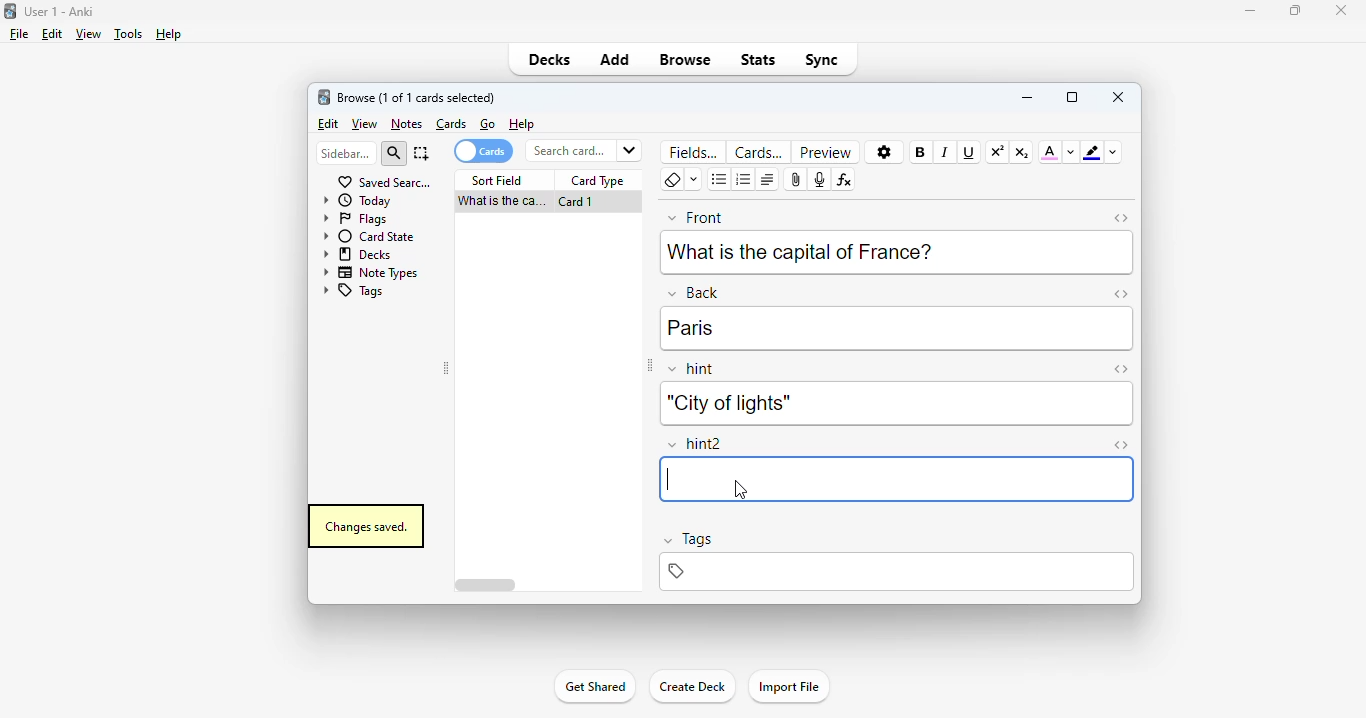 The image size is (1366, 718). Describe the element at coordinates (767, 180) in the screenshot. I see `alignment` at that location.